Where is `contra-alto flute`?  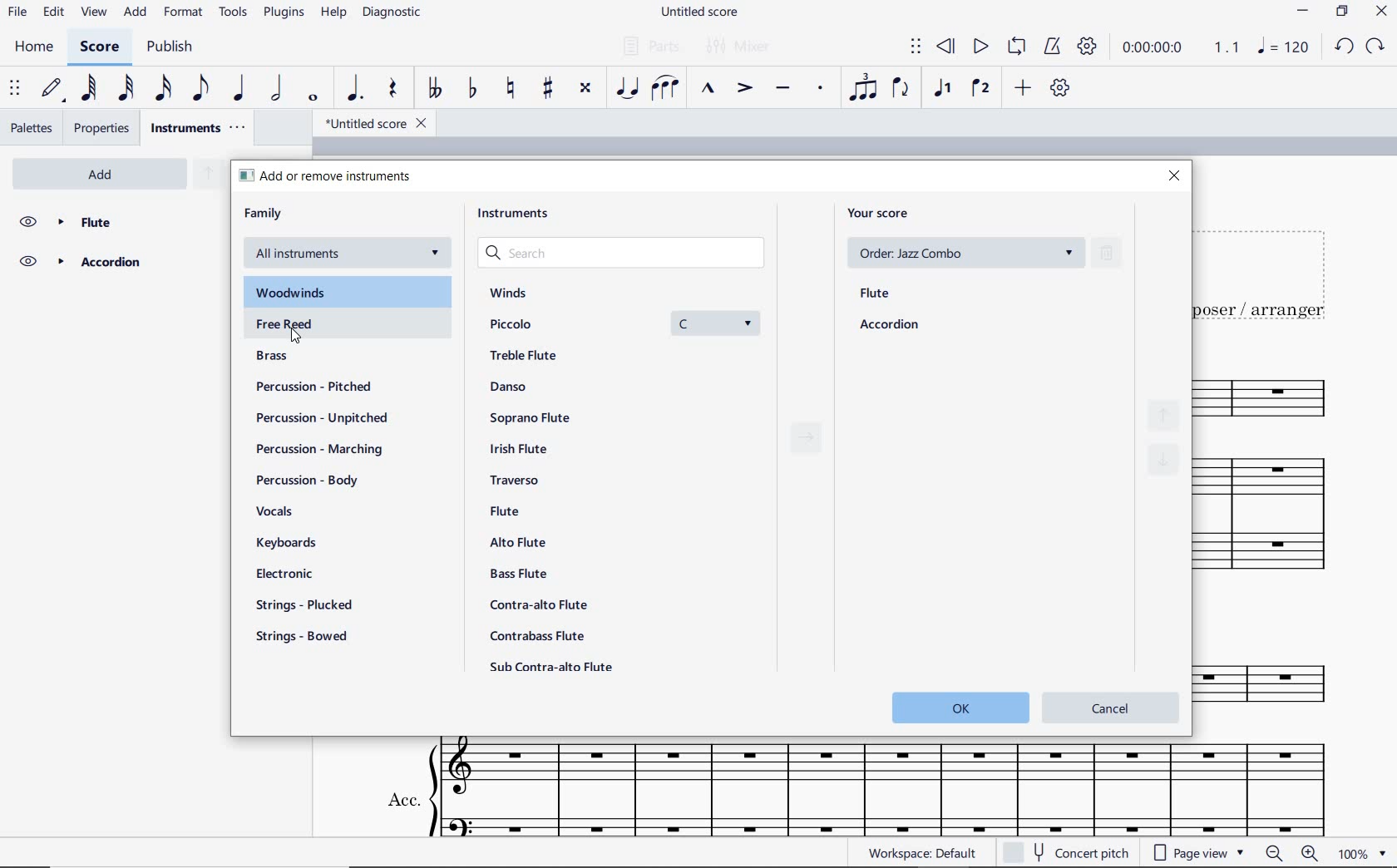
contra-alto flute is located at coordinates (536, 604).